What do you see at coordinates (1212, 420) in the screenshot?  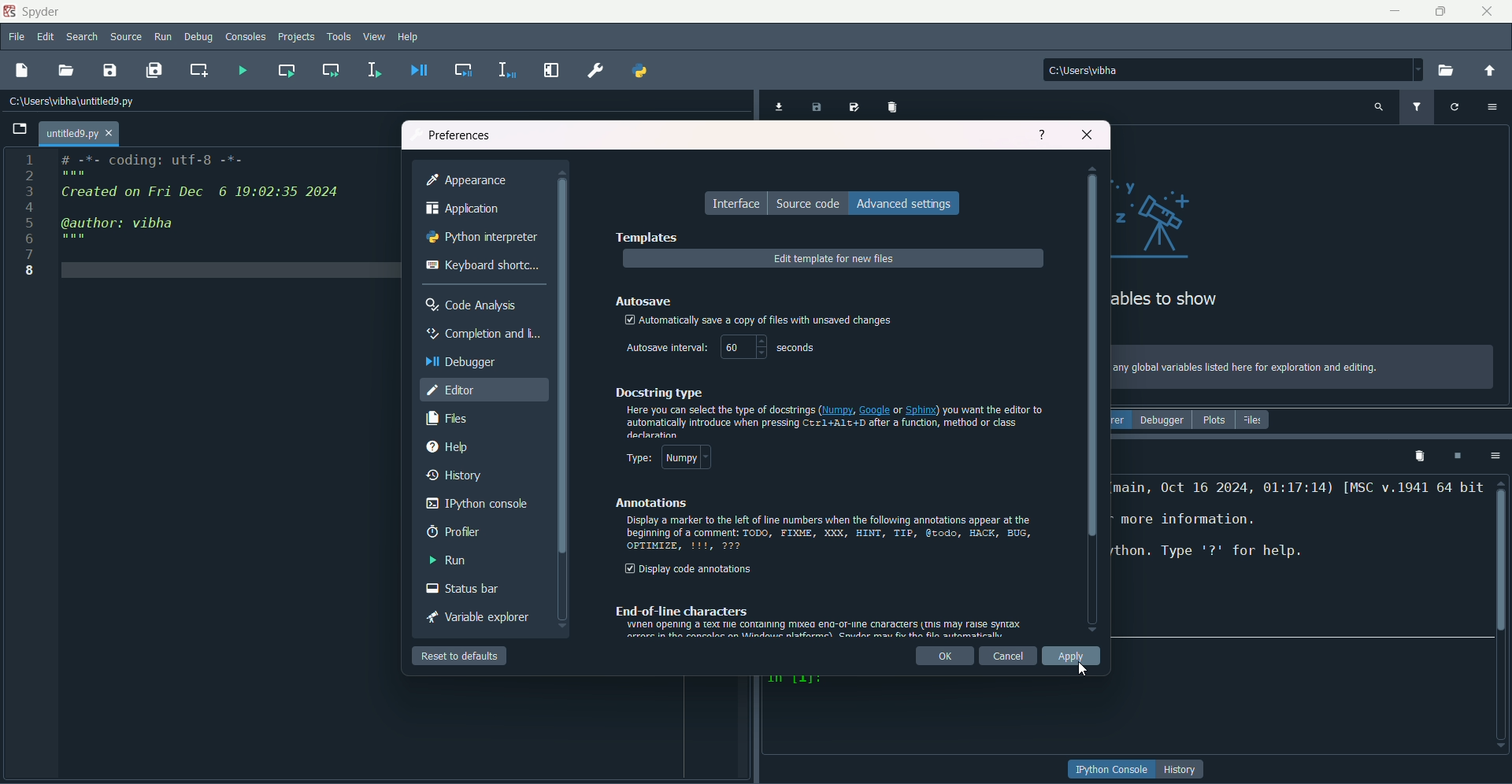 I see `plots` at bounding box center [1212, 420].